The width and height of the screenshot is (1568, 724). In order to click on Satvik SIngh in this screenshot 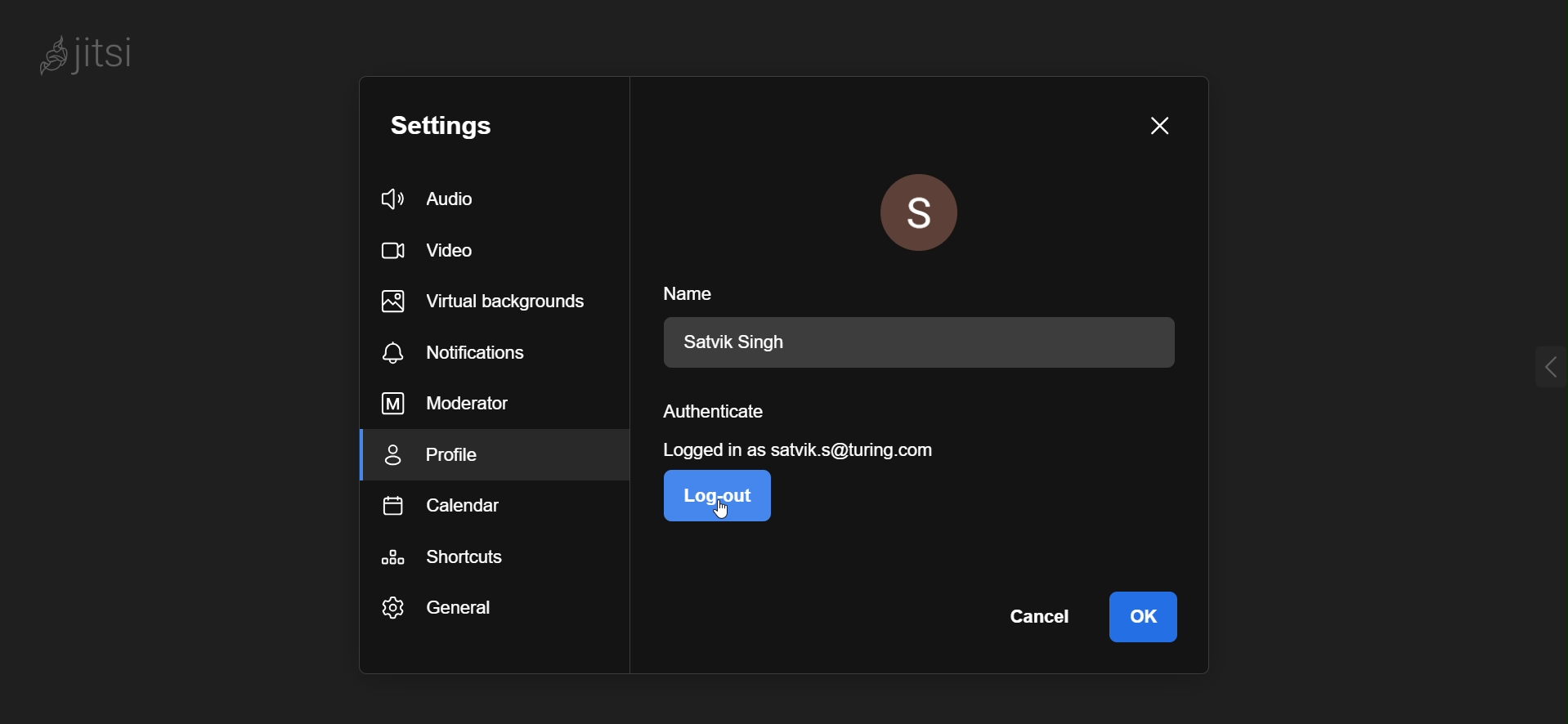, I will do `click(920, 346)`.